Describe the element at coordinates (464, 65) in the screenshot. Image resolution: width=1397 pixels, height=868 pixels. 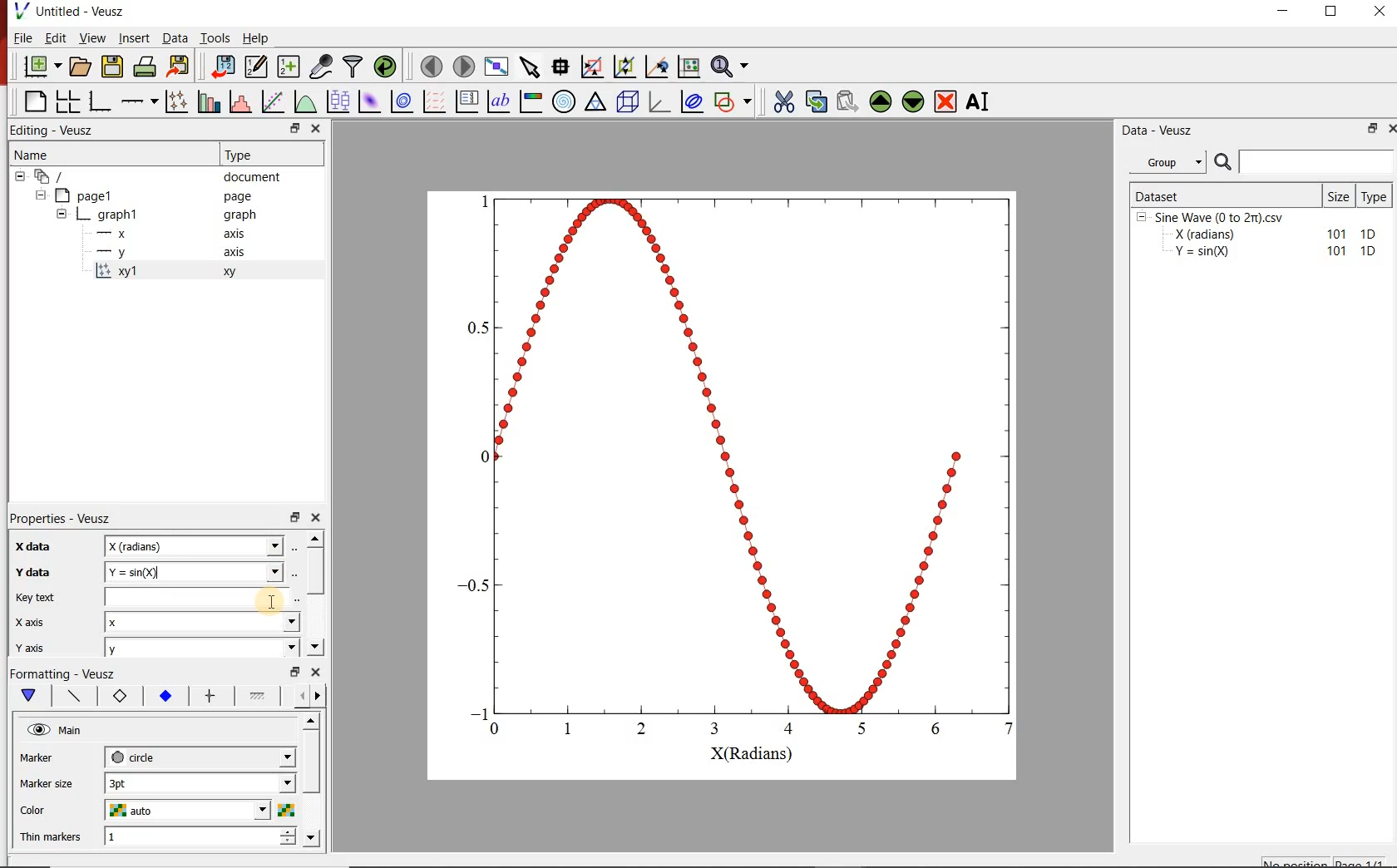
I see `go to next page` at that location.